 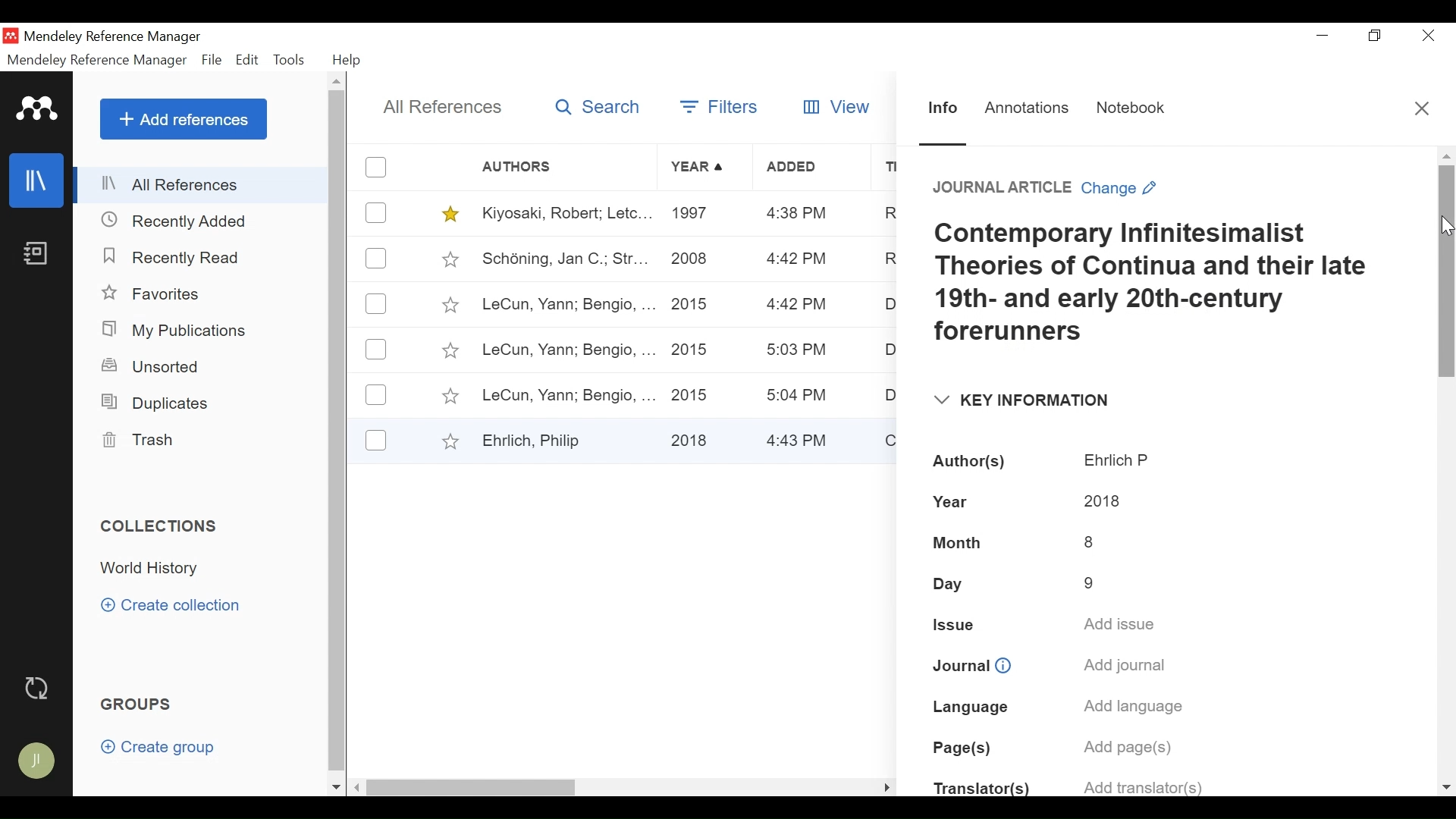 What do you see at coordinates (377, 212) in the screenshot?
I see `(un)select` at bounding box center [377, 212].